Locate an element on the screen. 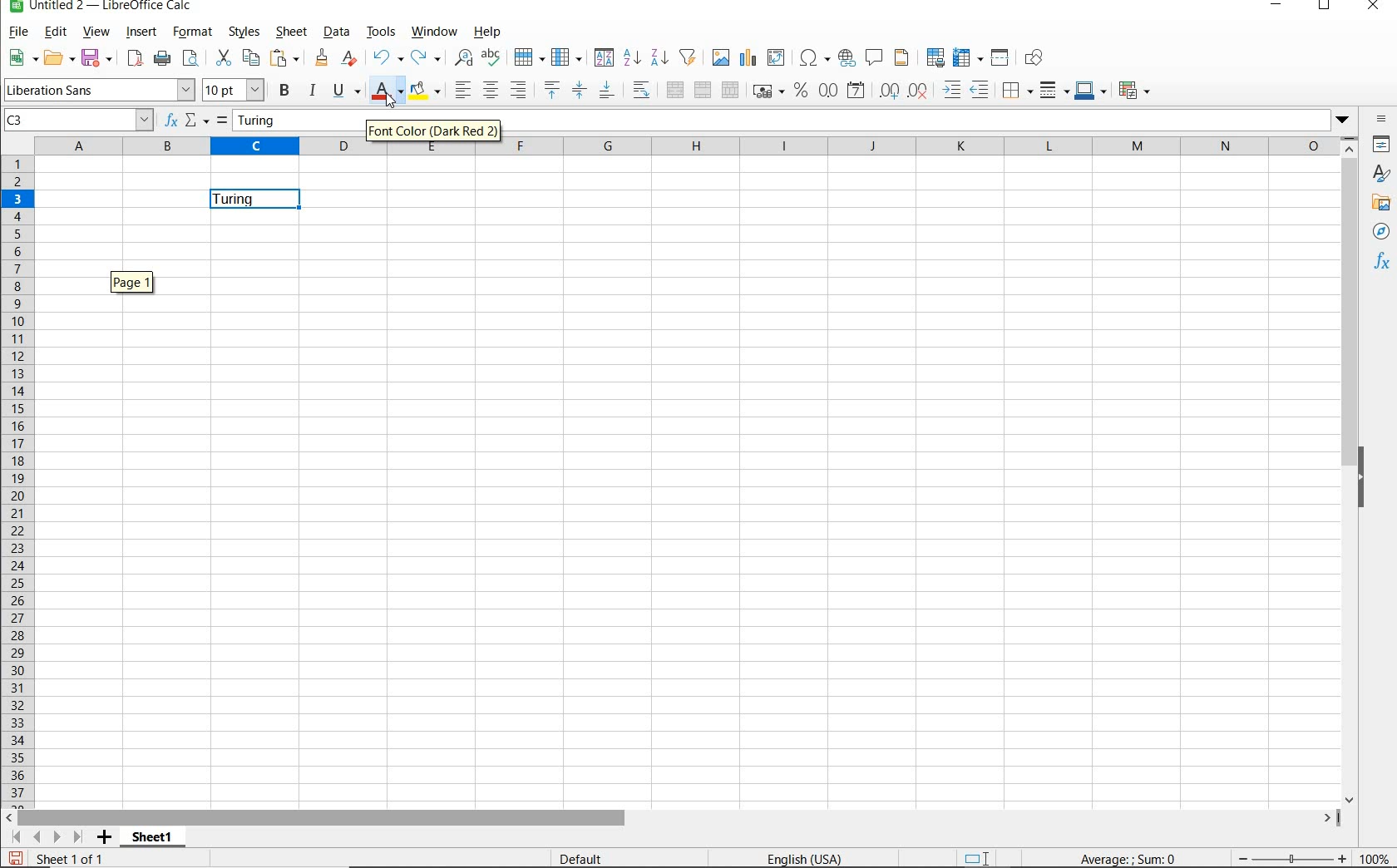 This screenshot has height=868, width=1397. DELETE DECIMAL PLACE is located at coordinates (918, 91).